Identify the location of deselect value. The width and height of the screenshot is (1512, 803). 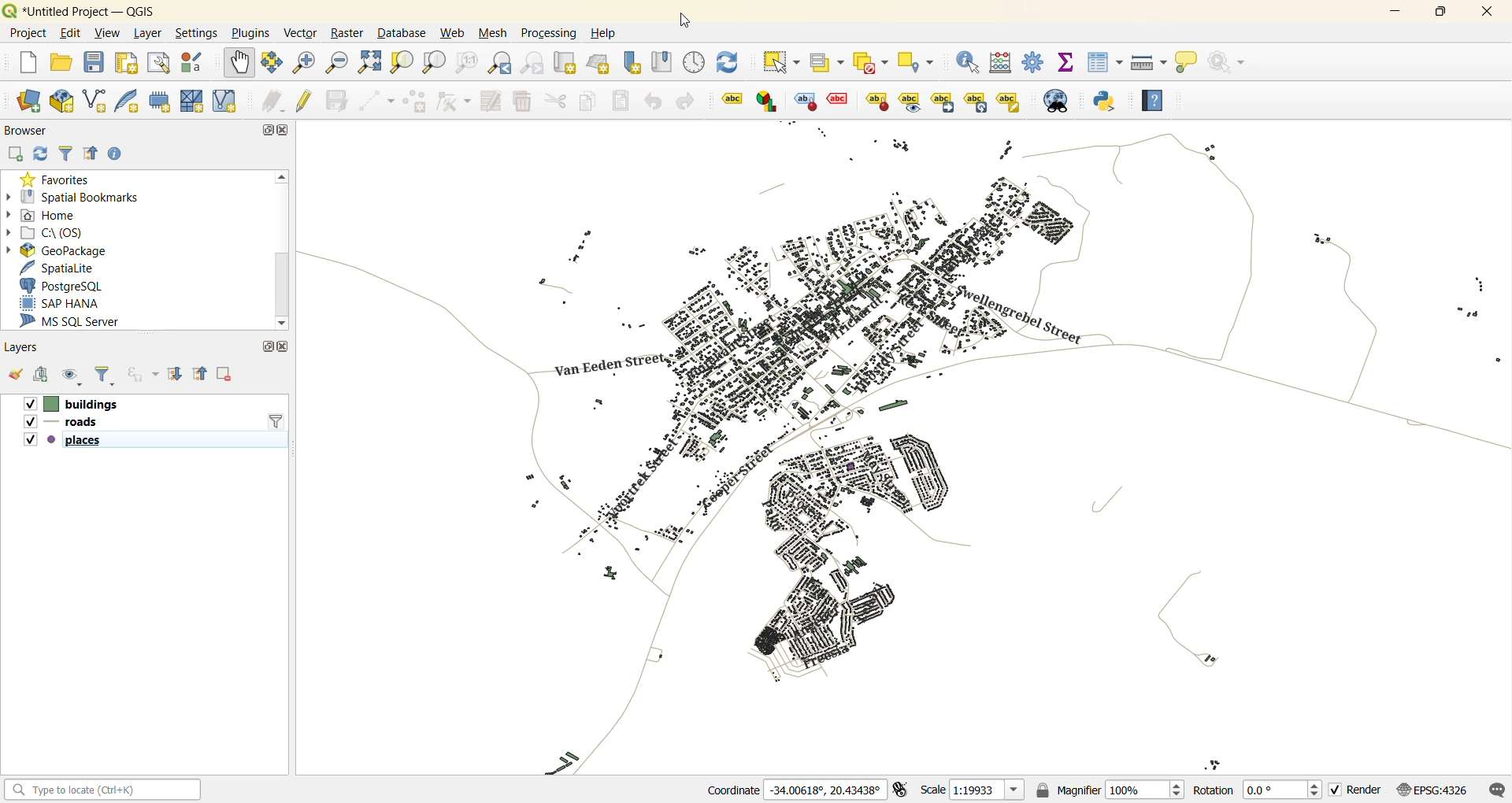
(873, 64).